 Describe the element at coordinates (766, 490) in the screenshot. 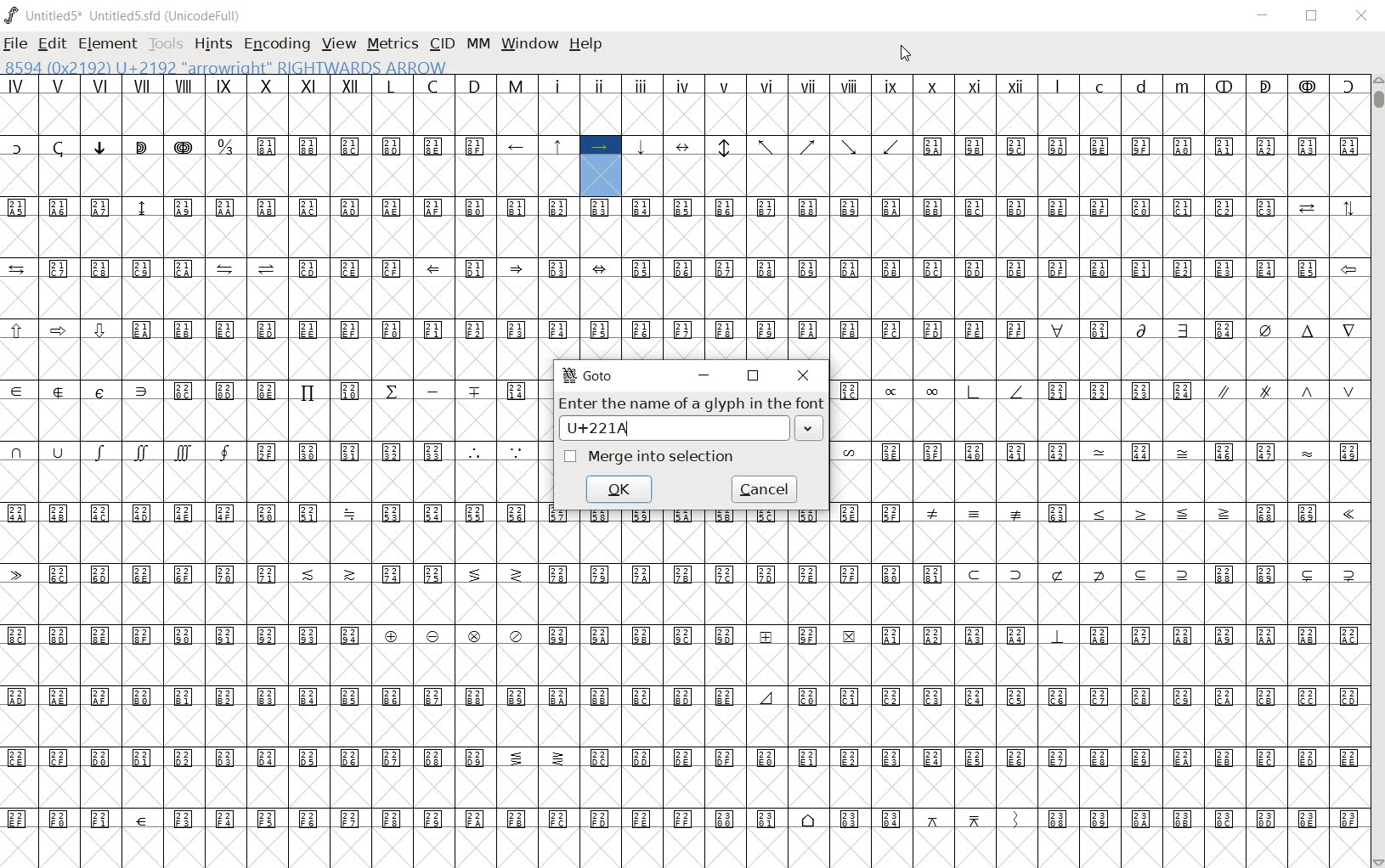

I see `cancel` at that location.